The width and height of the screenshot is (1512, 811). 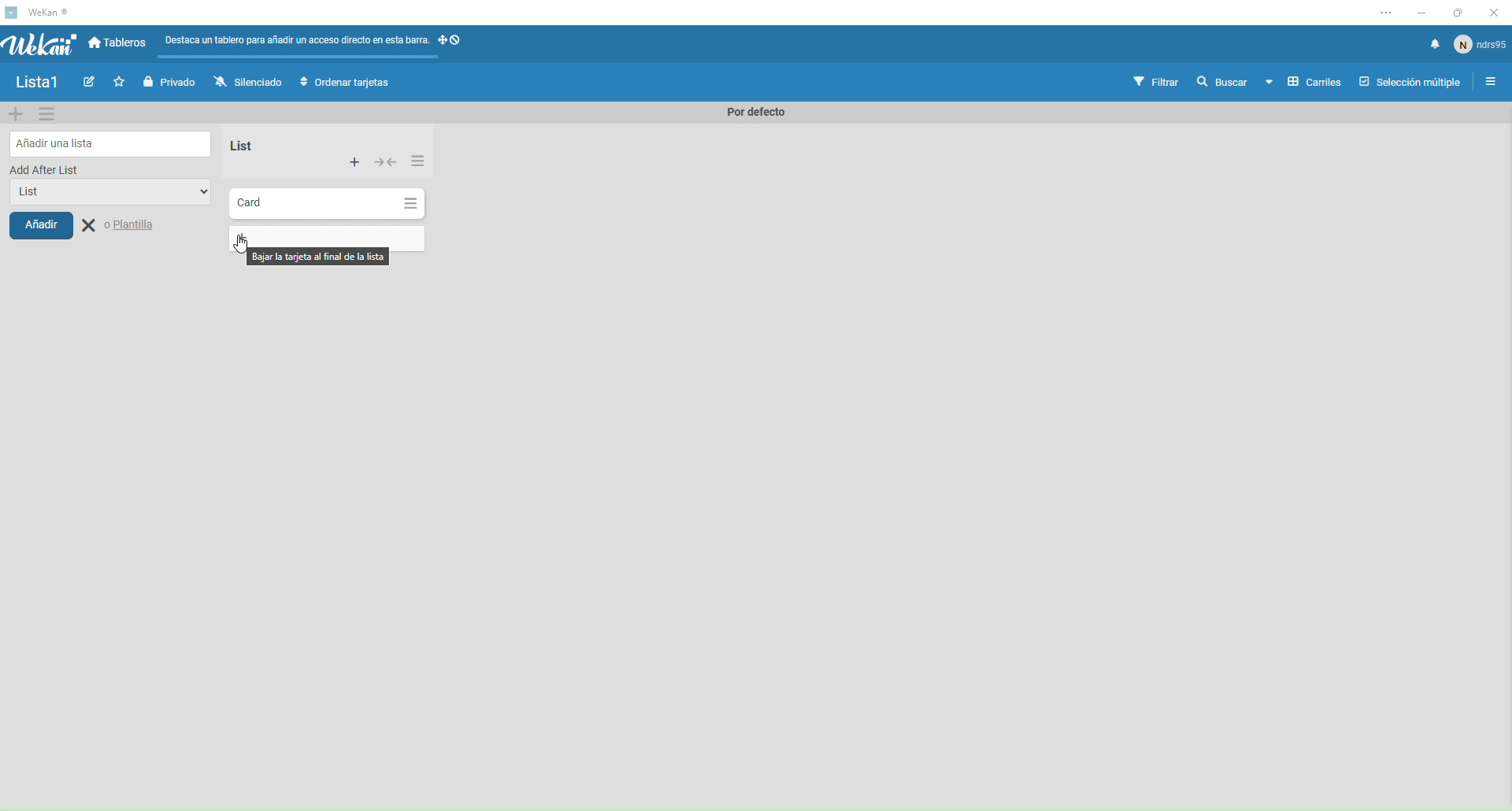 I want to click on Menu, so click(x=48, y=113).